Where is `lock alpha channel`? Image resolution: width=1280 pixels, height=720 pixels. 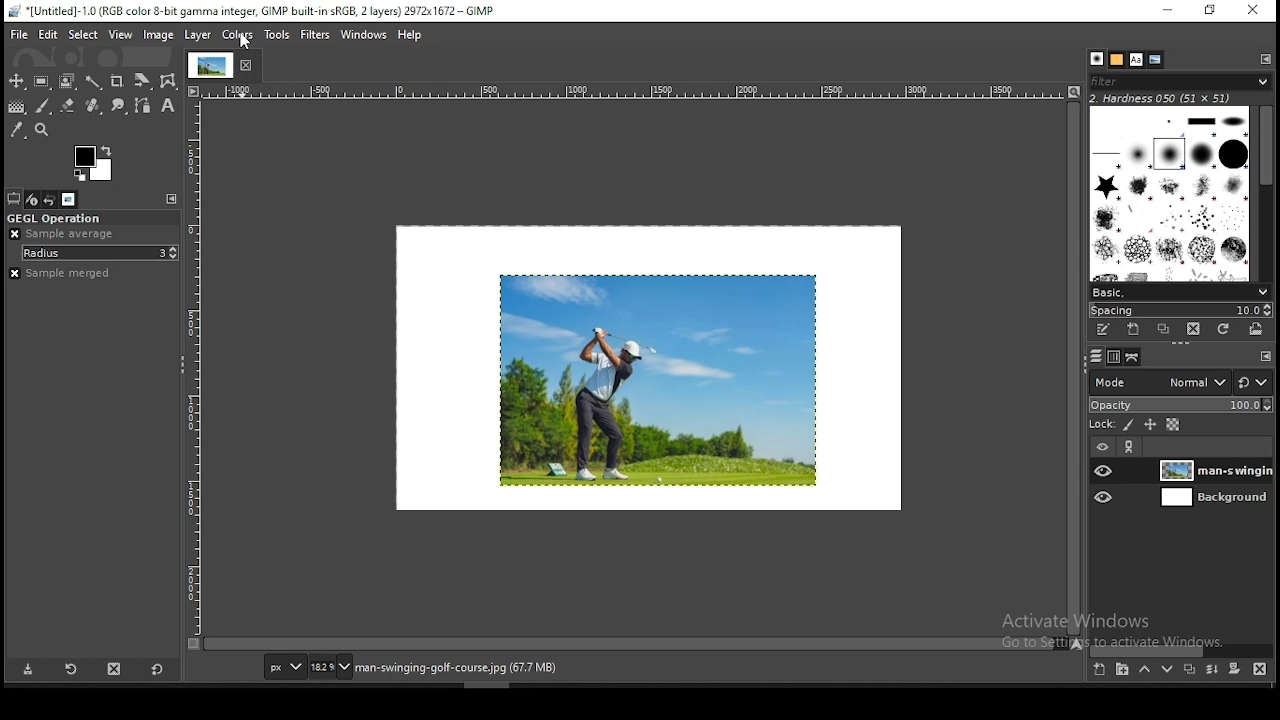 lock alpha channel is located at coordinates (1173, 423).